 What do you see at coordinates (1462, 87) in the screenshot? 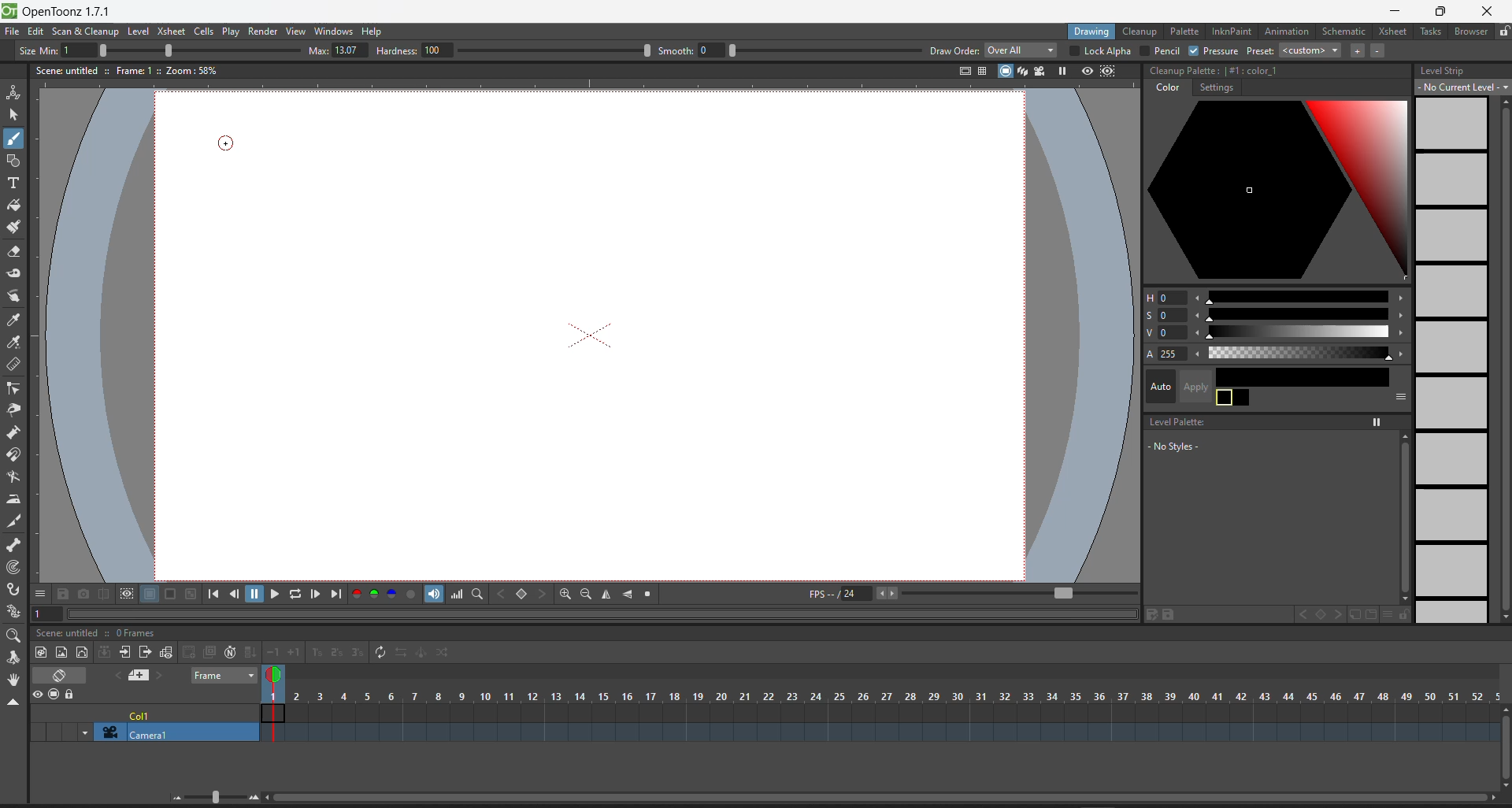
I see `no current level` at bounding box center [1462, 87].